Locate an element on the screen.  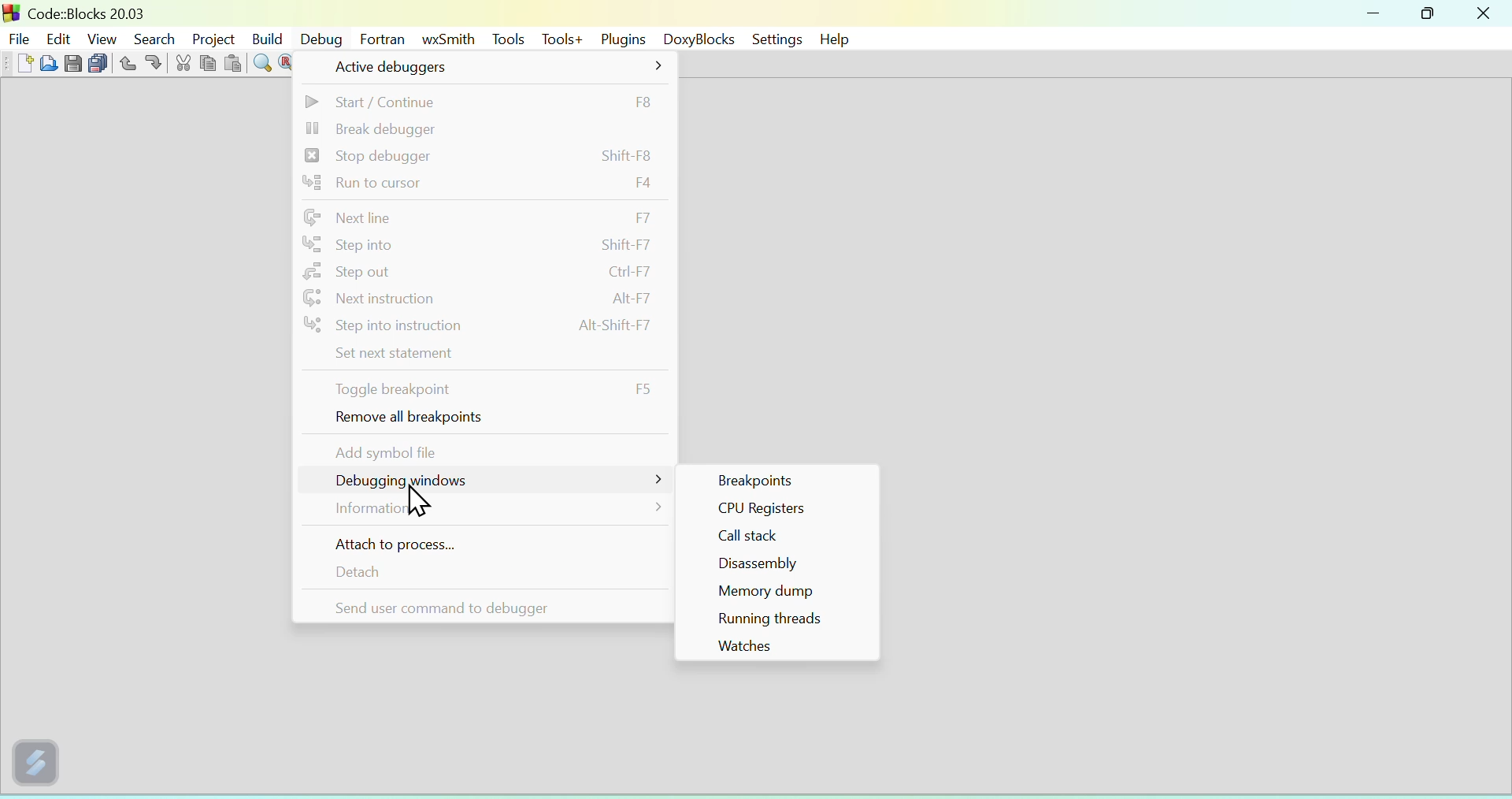
redo is located at coordinates (154, 64).